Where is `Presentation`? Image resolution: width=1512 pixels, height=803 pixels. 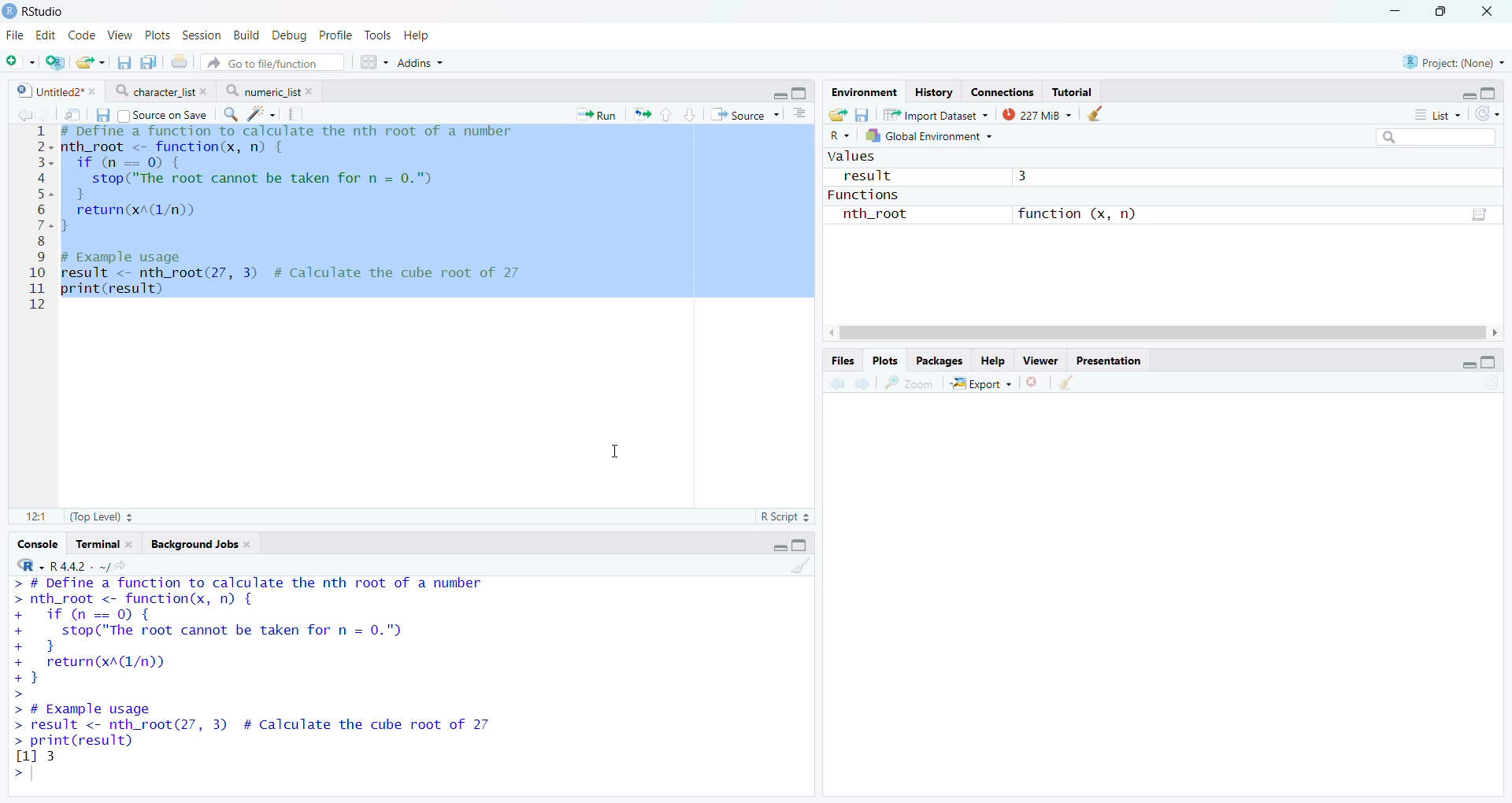 Presentation is located at coordinates (1110, 359).